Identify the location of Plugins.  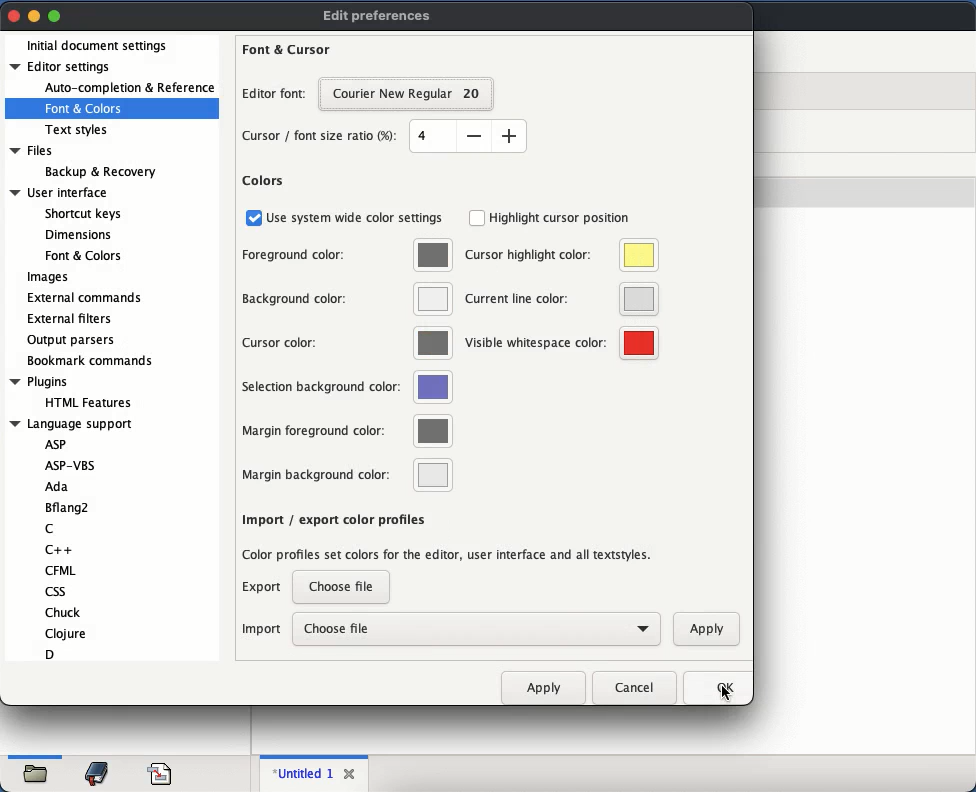
(39, 380).